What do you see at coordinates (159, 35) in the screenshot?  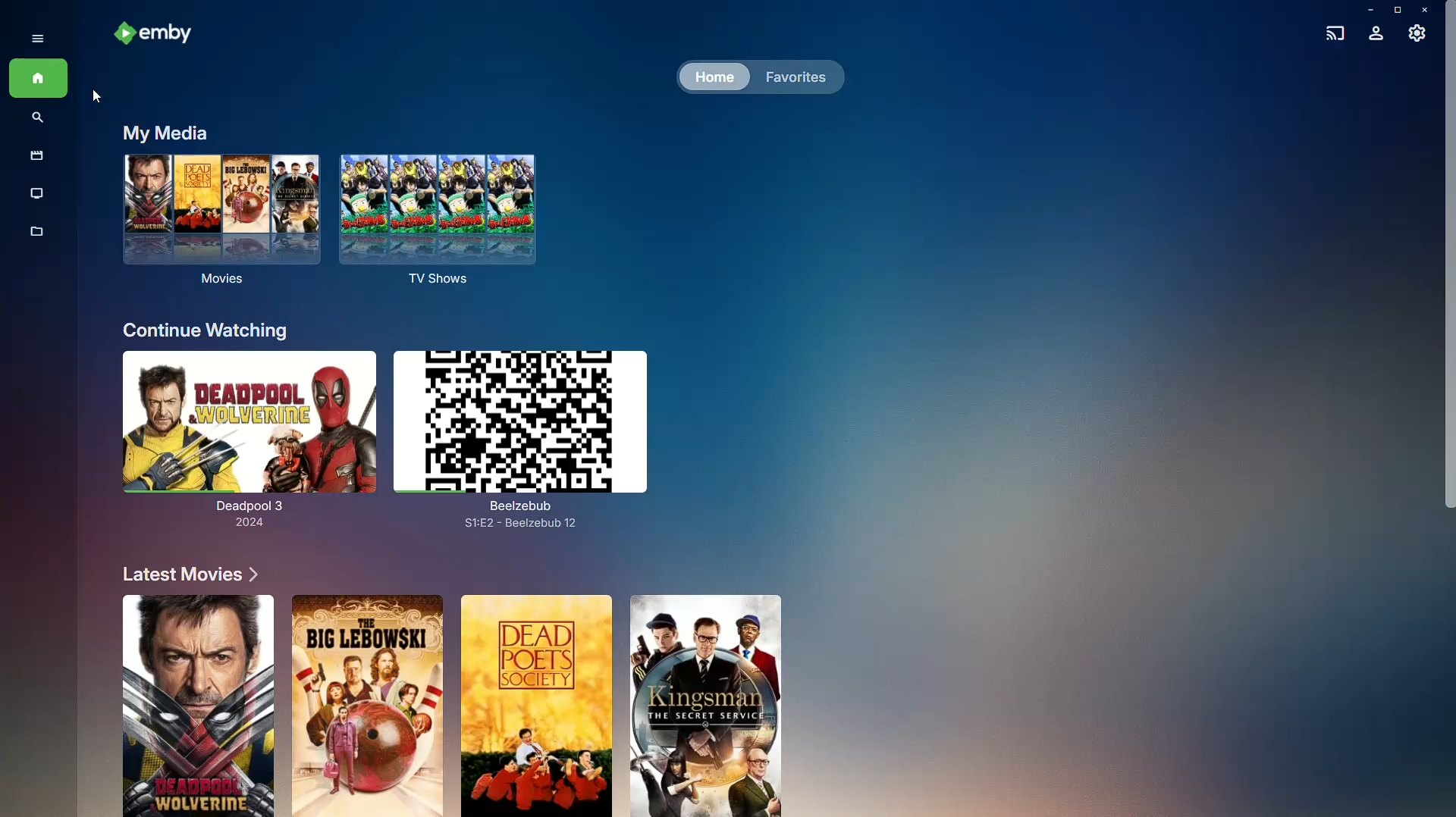 I see `emby` at bounding box center [159, 35].